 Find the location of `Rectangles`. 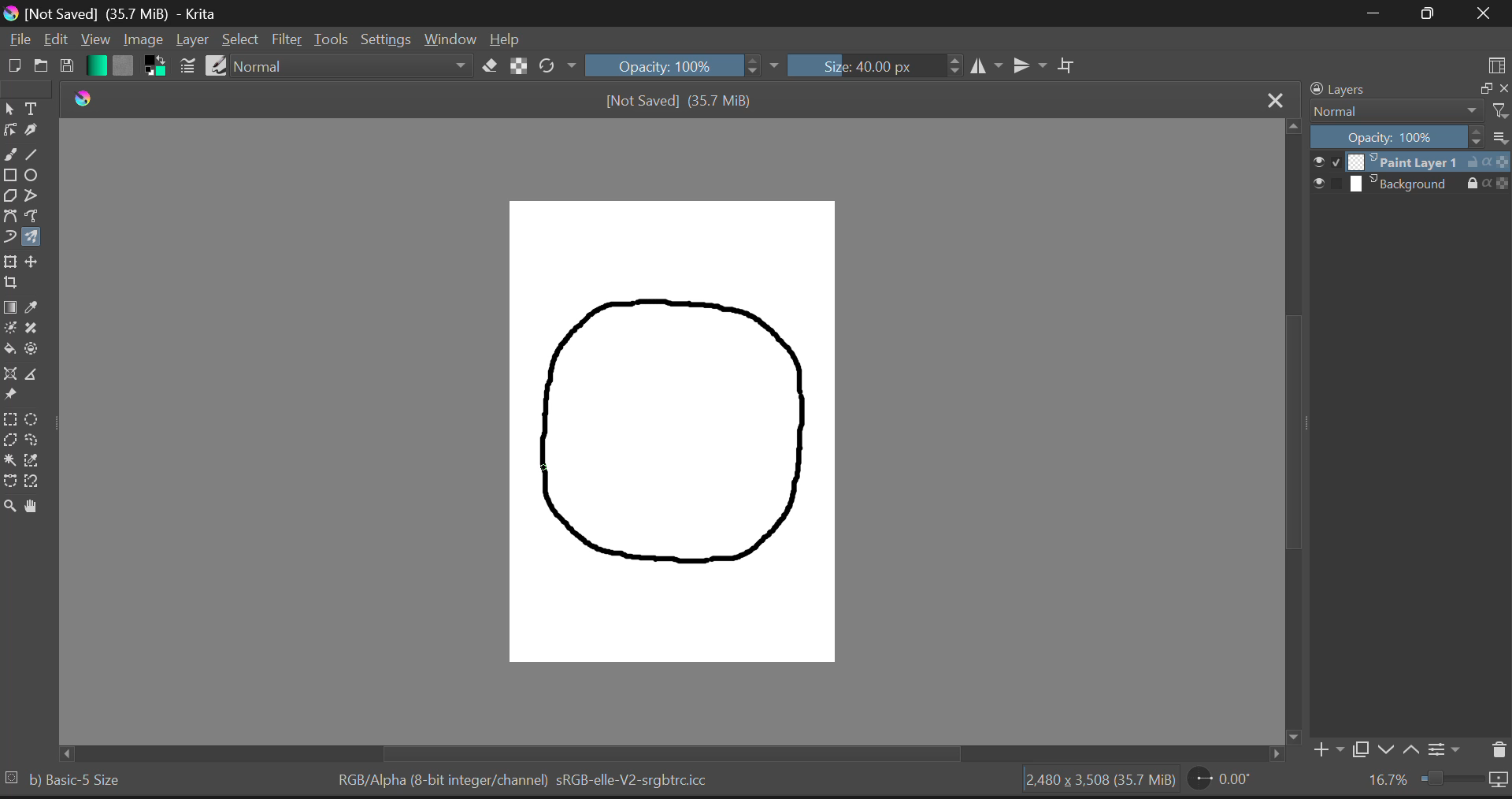

Rectangles is located at coordinates (10, 175).